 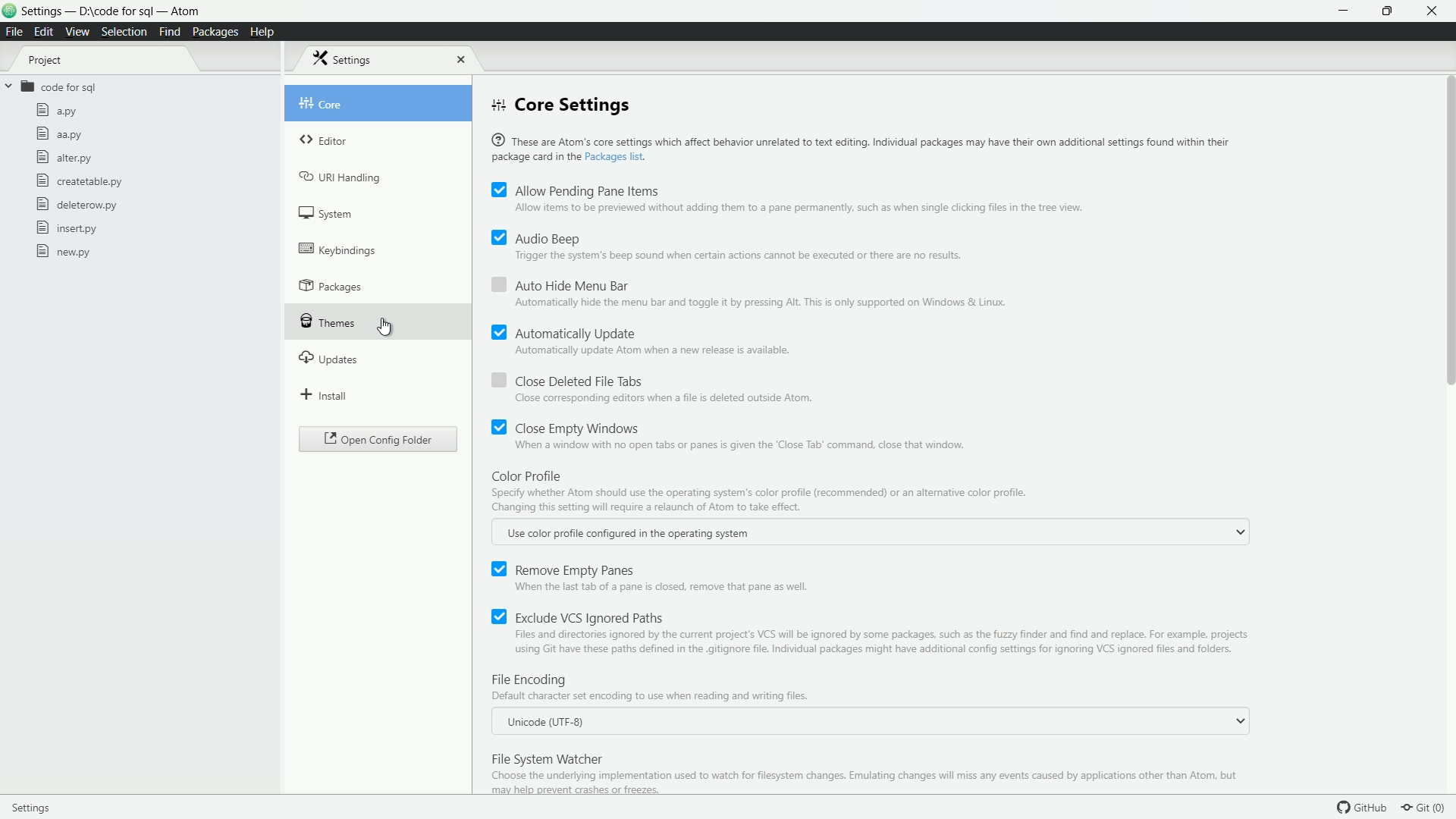 I want to click on keybindings, so click(x=337, y=249).